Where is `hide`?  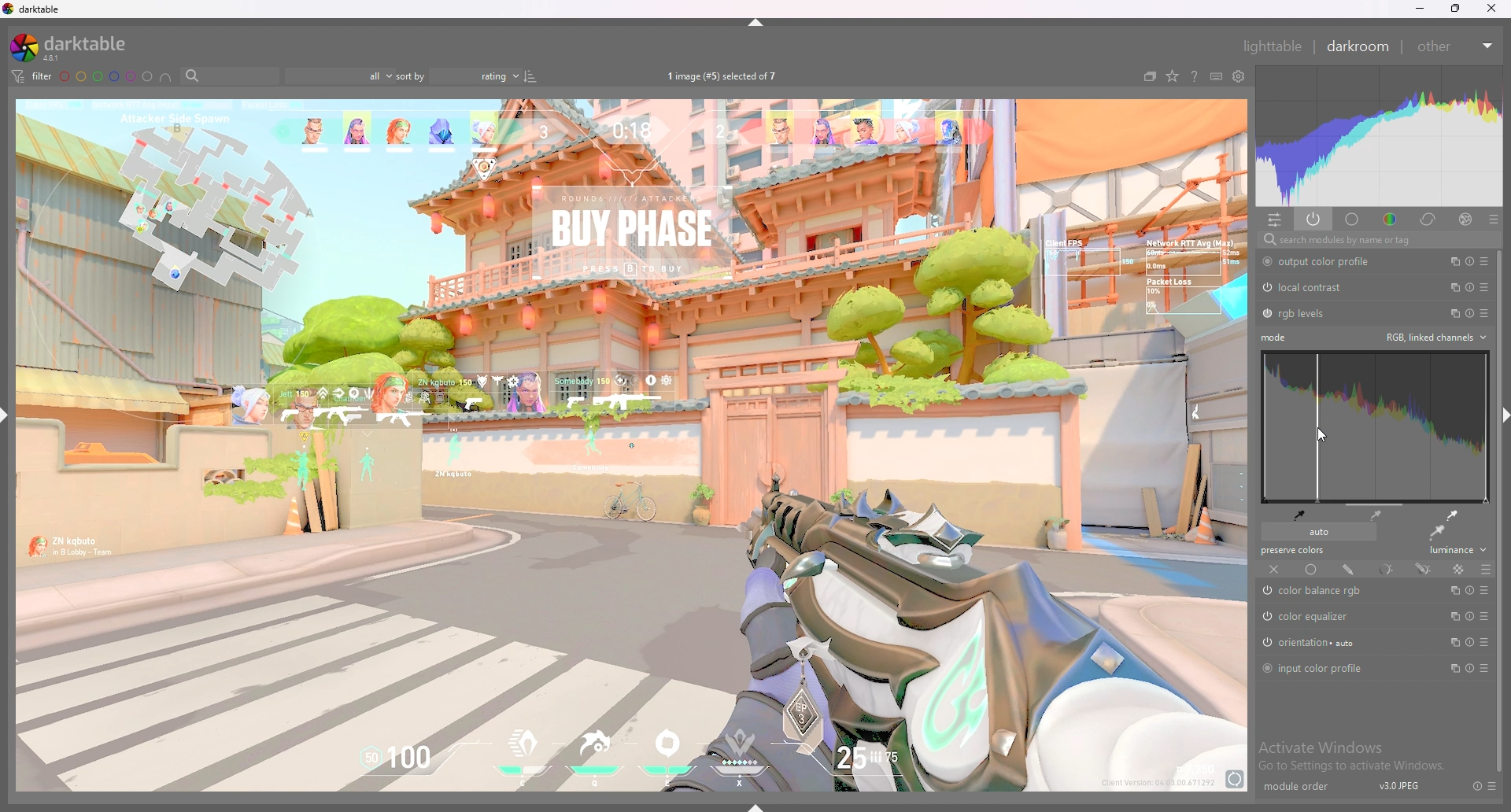
hide is located at coordinates (760, 805).